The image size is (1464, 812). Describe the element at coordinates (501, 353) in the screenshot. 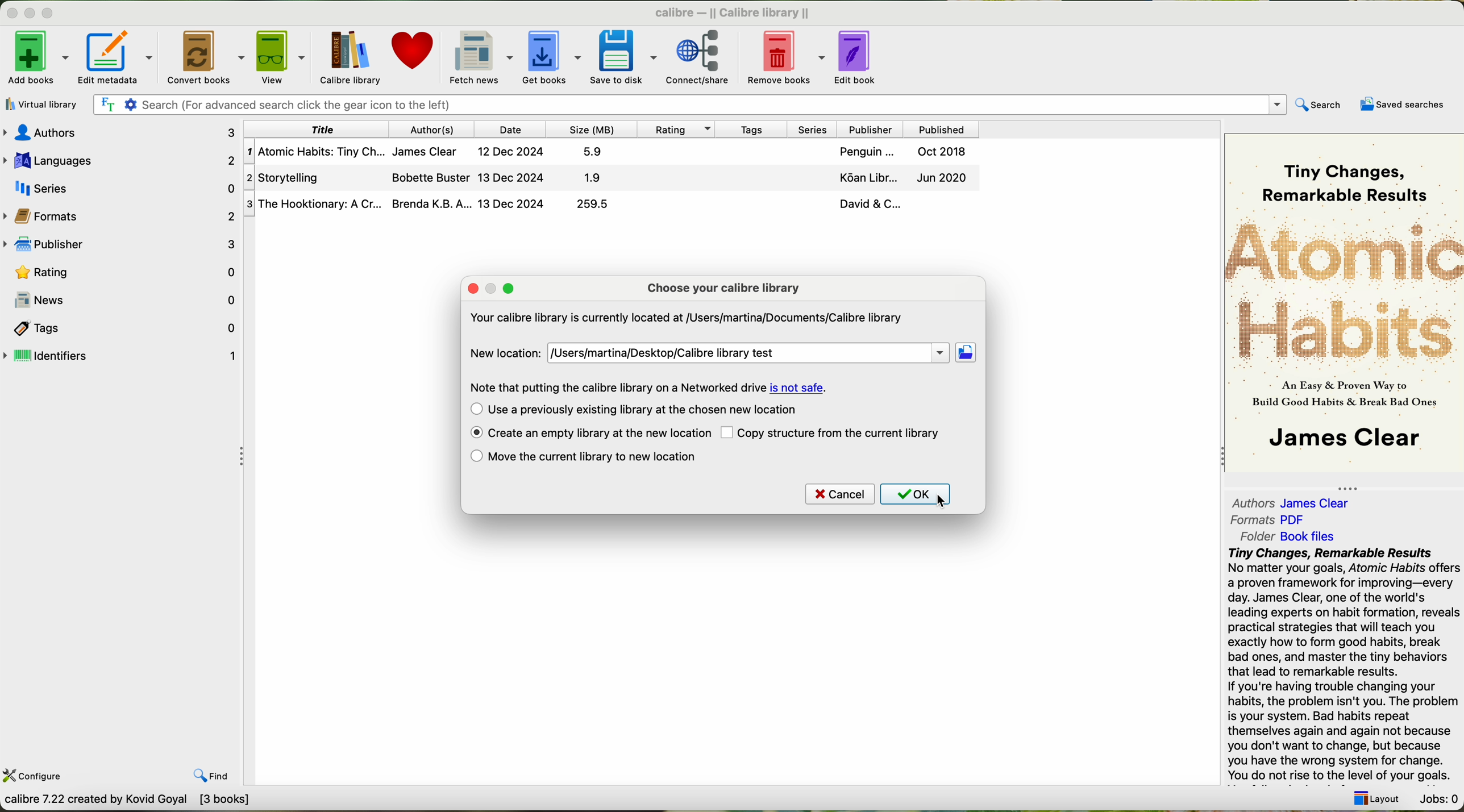

I see `new location` at that location.